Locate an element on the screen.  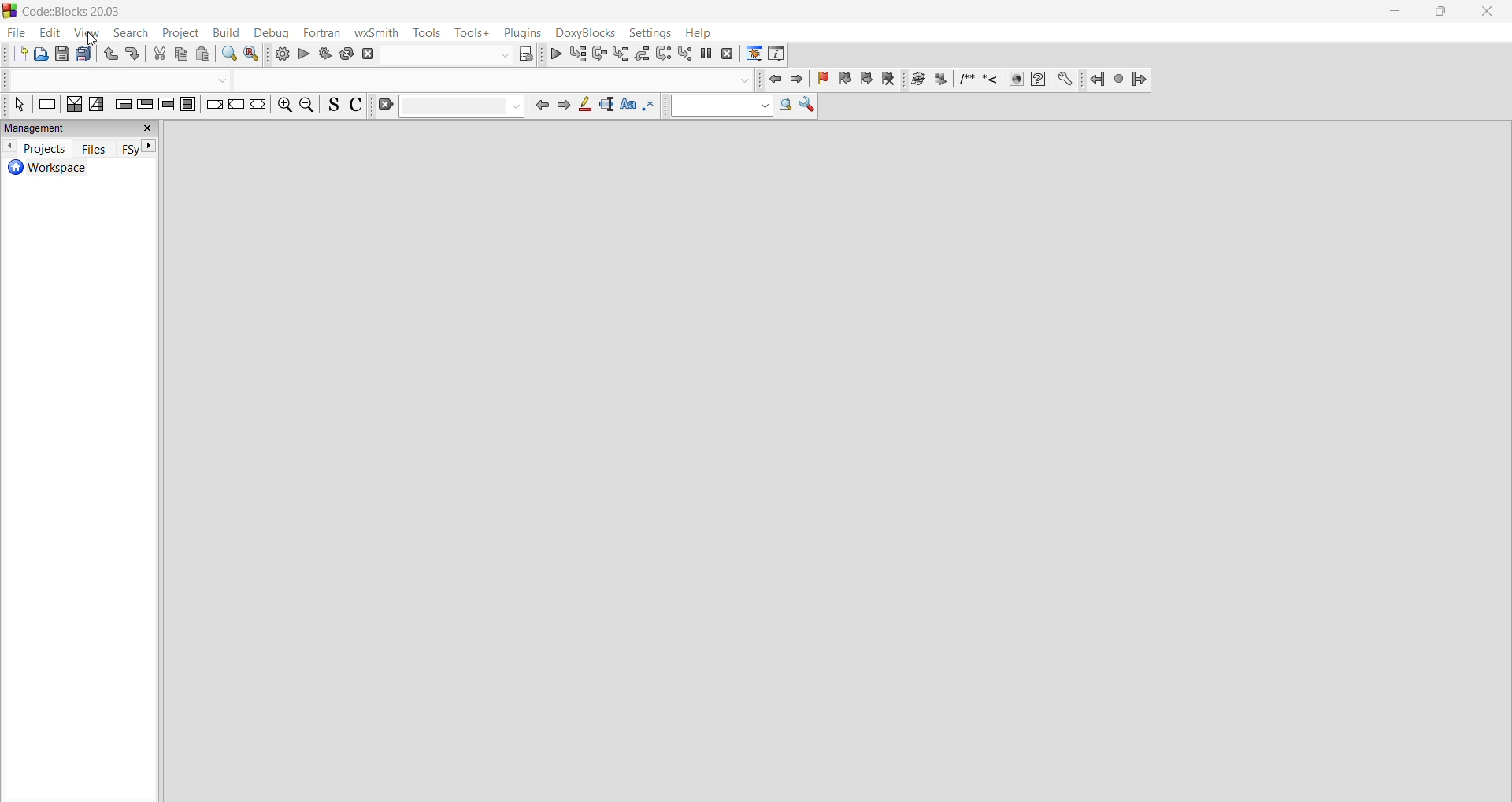
fortran is located at coordinates (323, 33).